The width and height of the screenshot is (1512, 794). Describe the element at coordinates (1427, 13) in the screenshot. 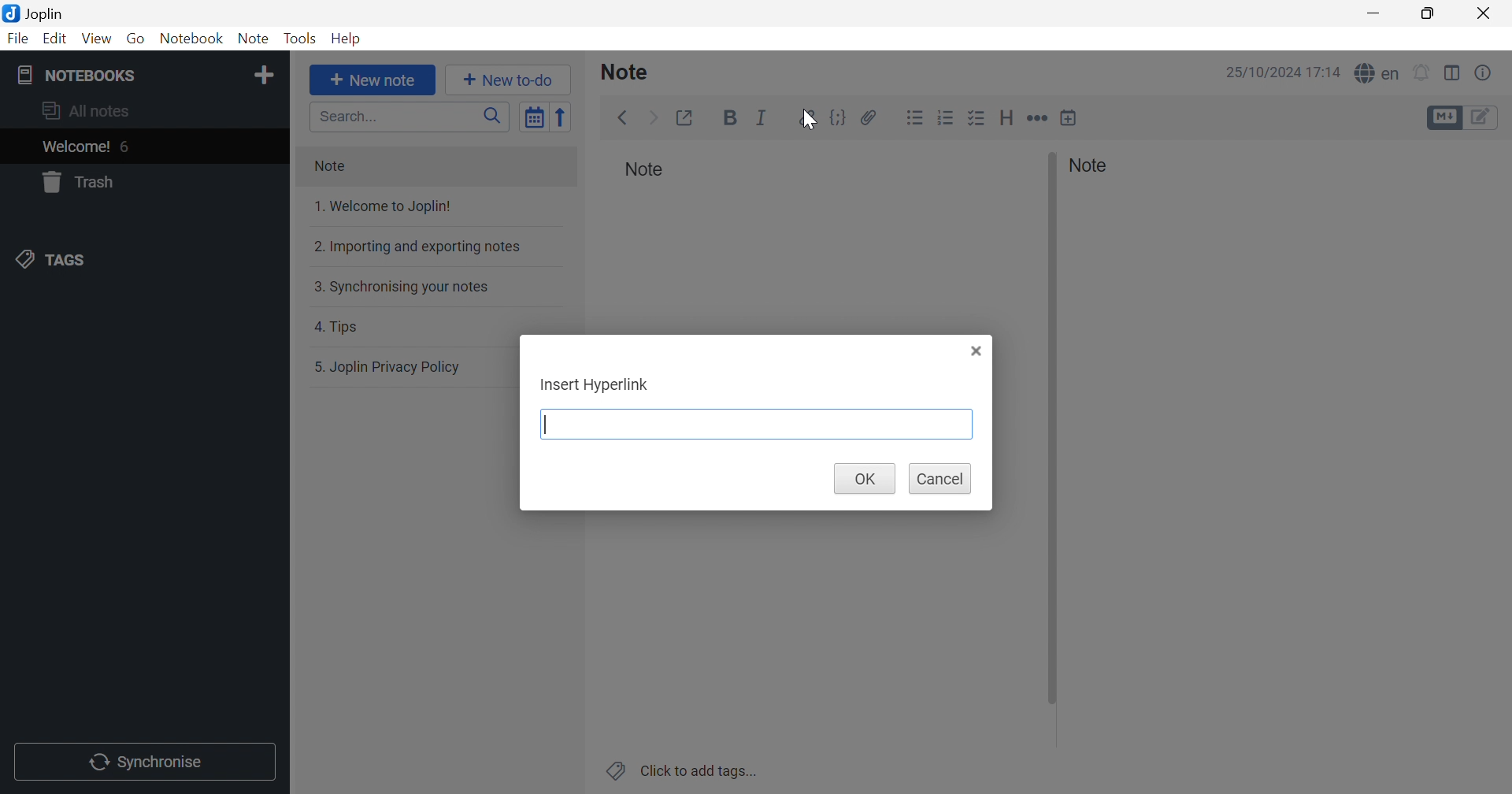

I see `maximize` at that location.